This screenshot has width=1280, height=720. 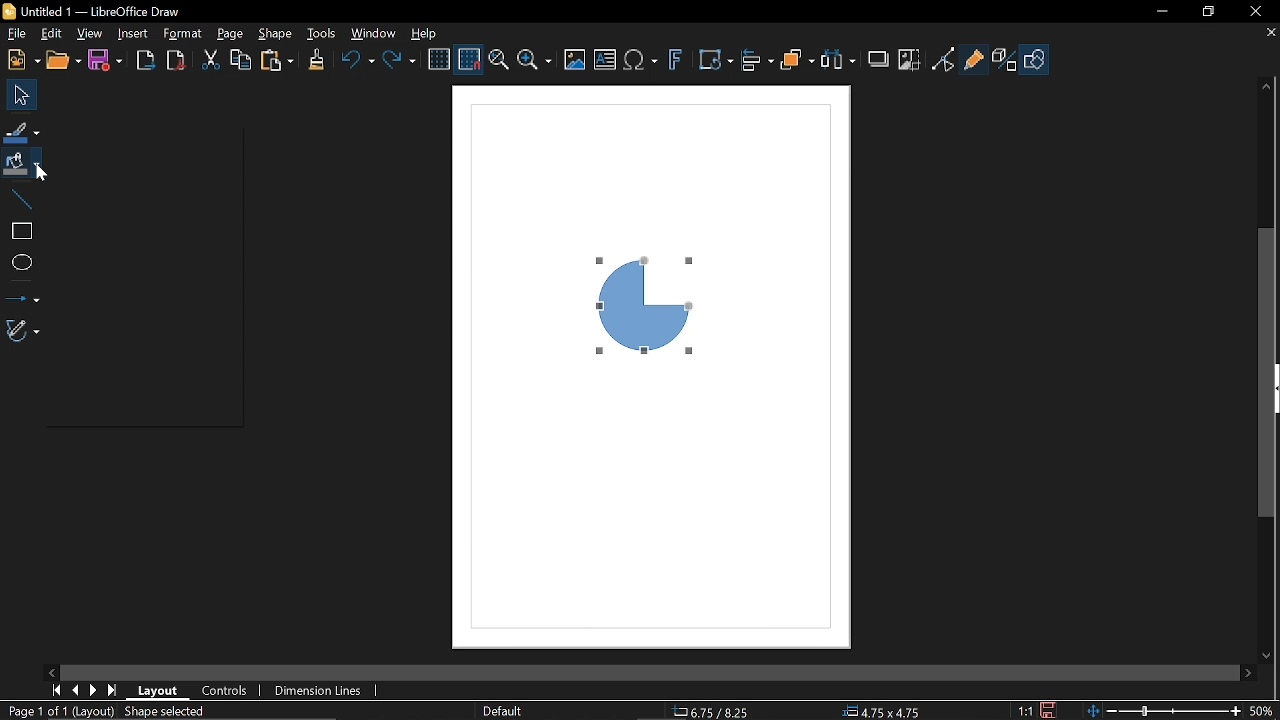 What do you see at coordinates (210, 60) in the screenshot?
I see `Cut ` at bounding box center [210, 60].